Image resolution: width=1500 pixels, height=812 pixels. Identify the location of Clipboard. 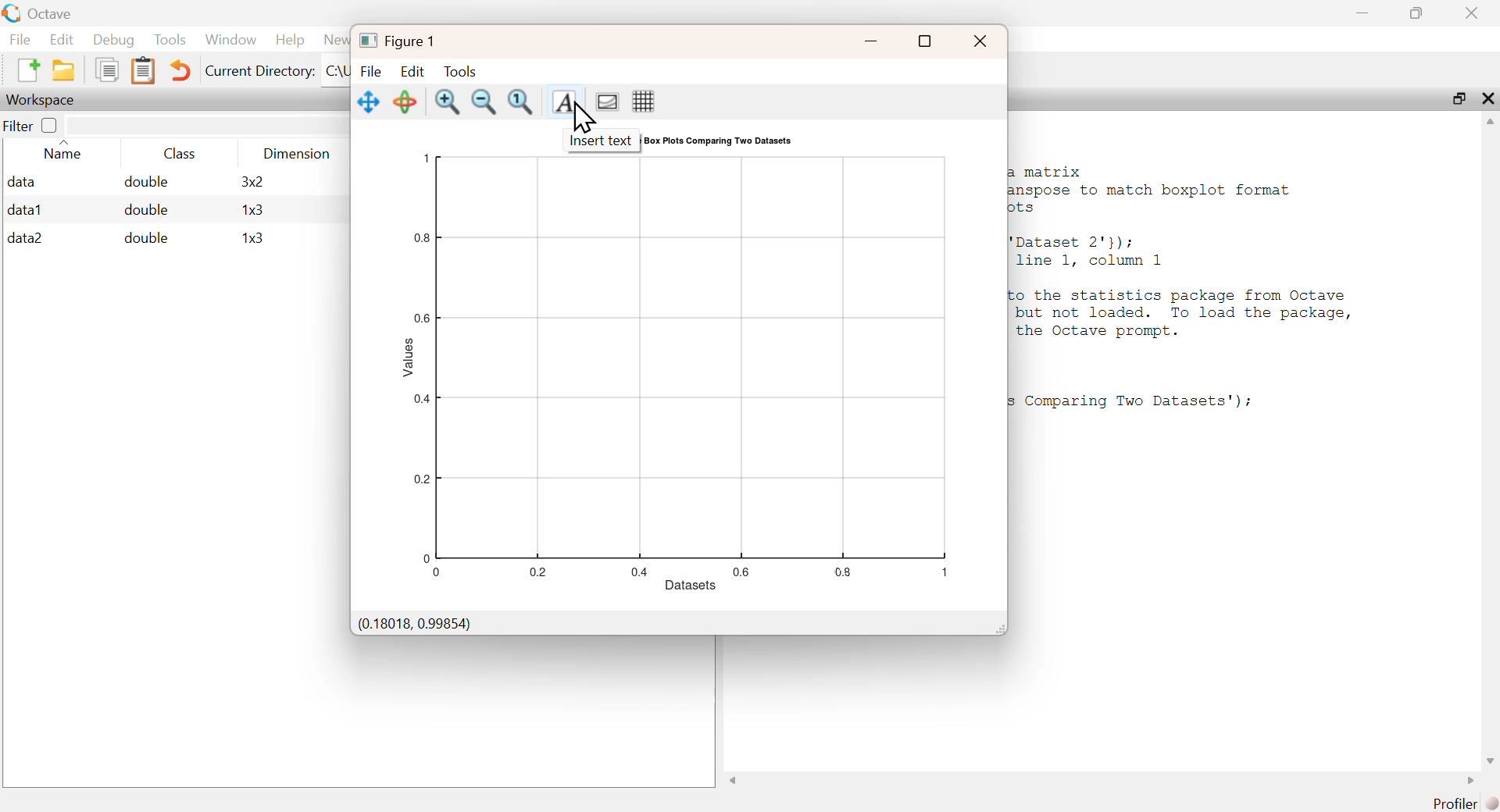
(143, 71).